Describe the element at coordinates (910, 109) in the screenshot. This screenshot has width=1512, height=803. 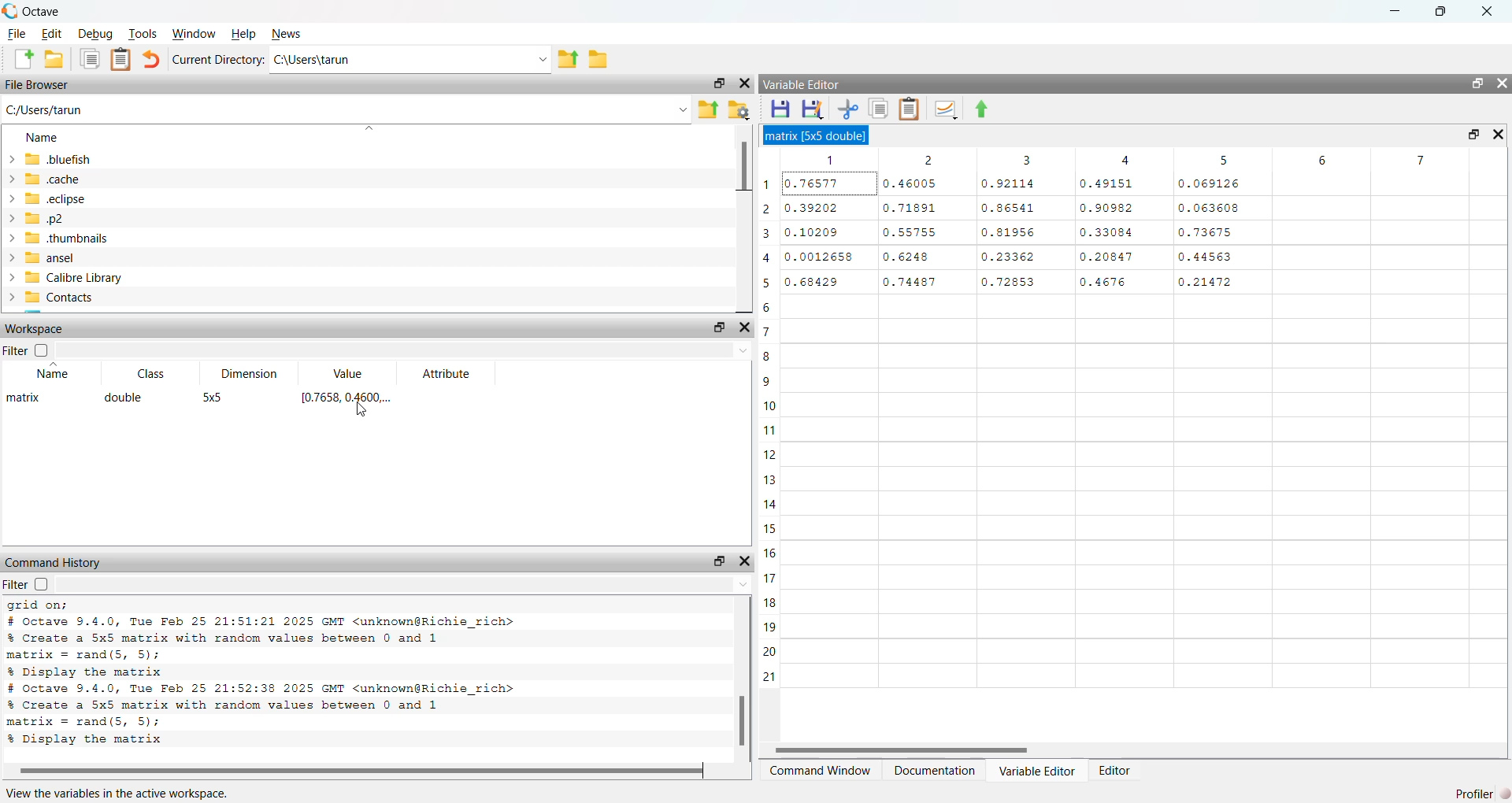
I see `notes` at that location.